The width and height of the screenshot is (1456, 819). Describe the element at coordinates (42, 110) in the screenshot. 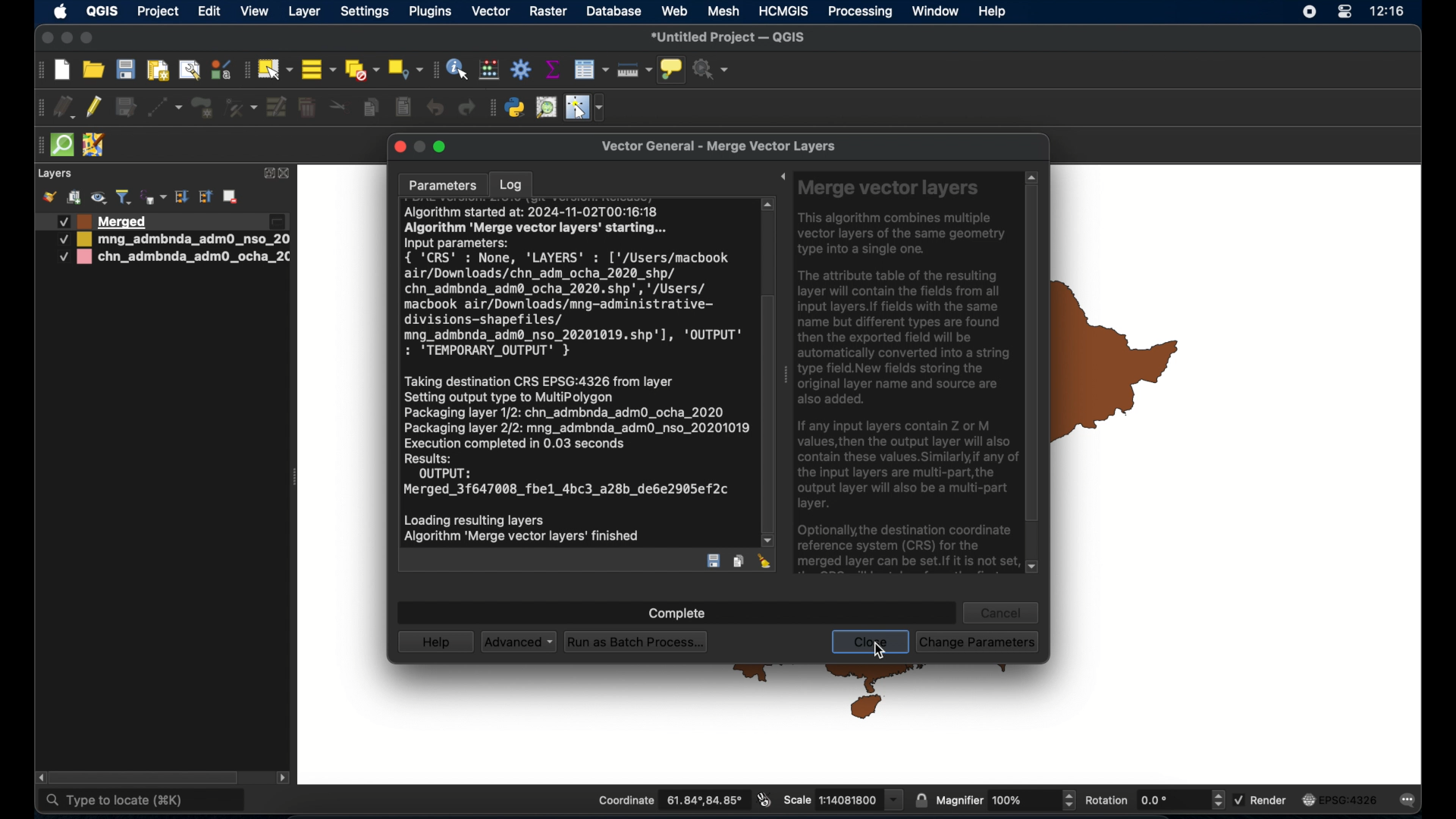

I see `digitizing toolbar` at that location.